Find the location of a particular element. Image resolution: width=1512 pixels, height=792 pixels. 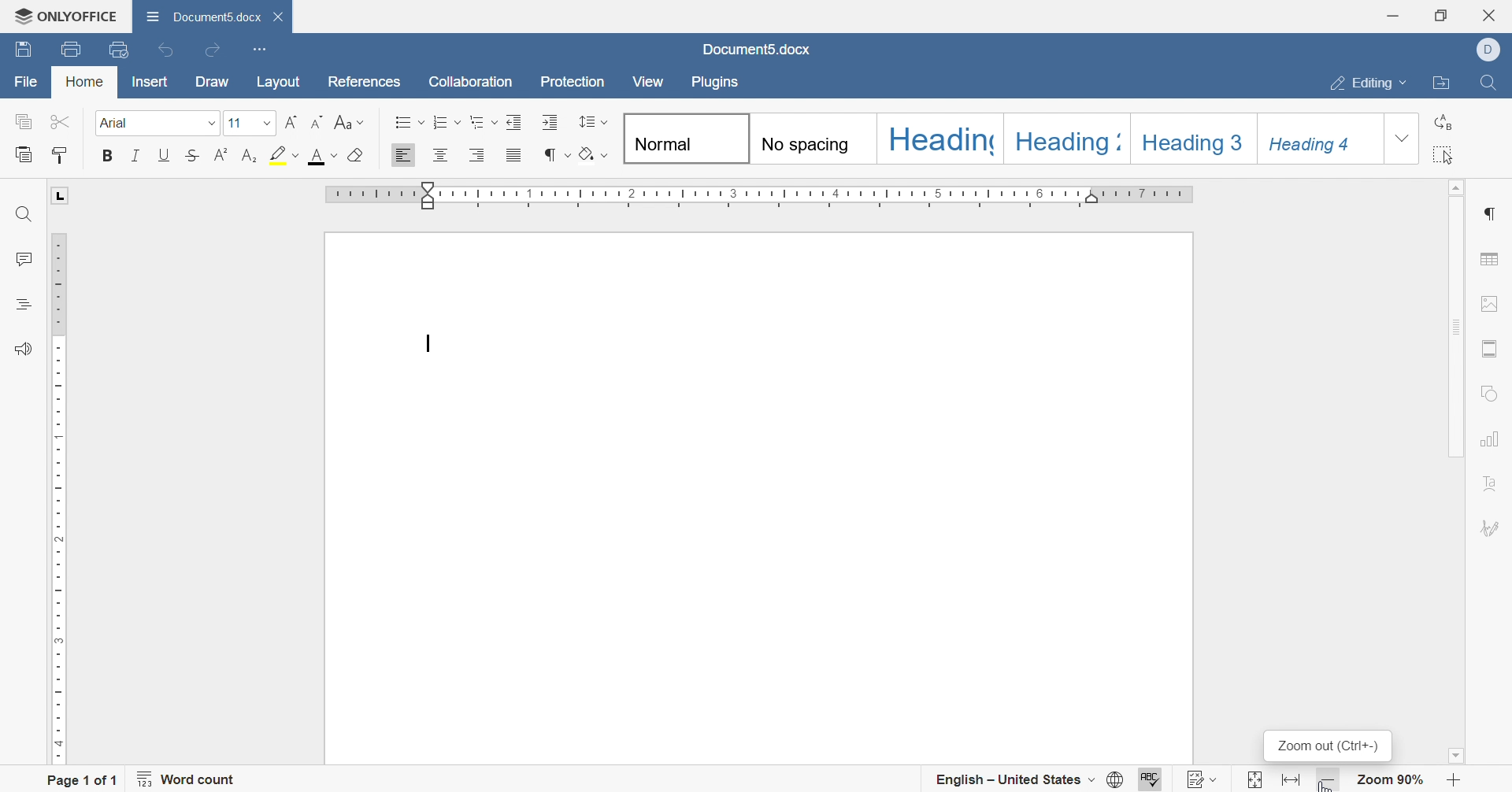

Text editor is located at coordinates (426, 344).